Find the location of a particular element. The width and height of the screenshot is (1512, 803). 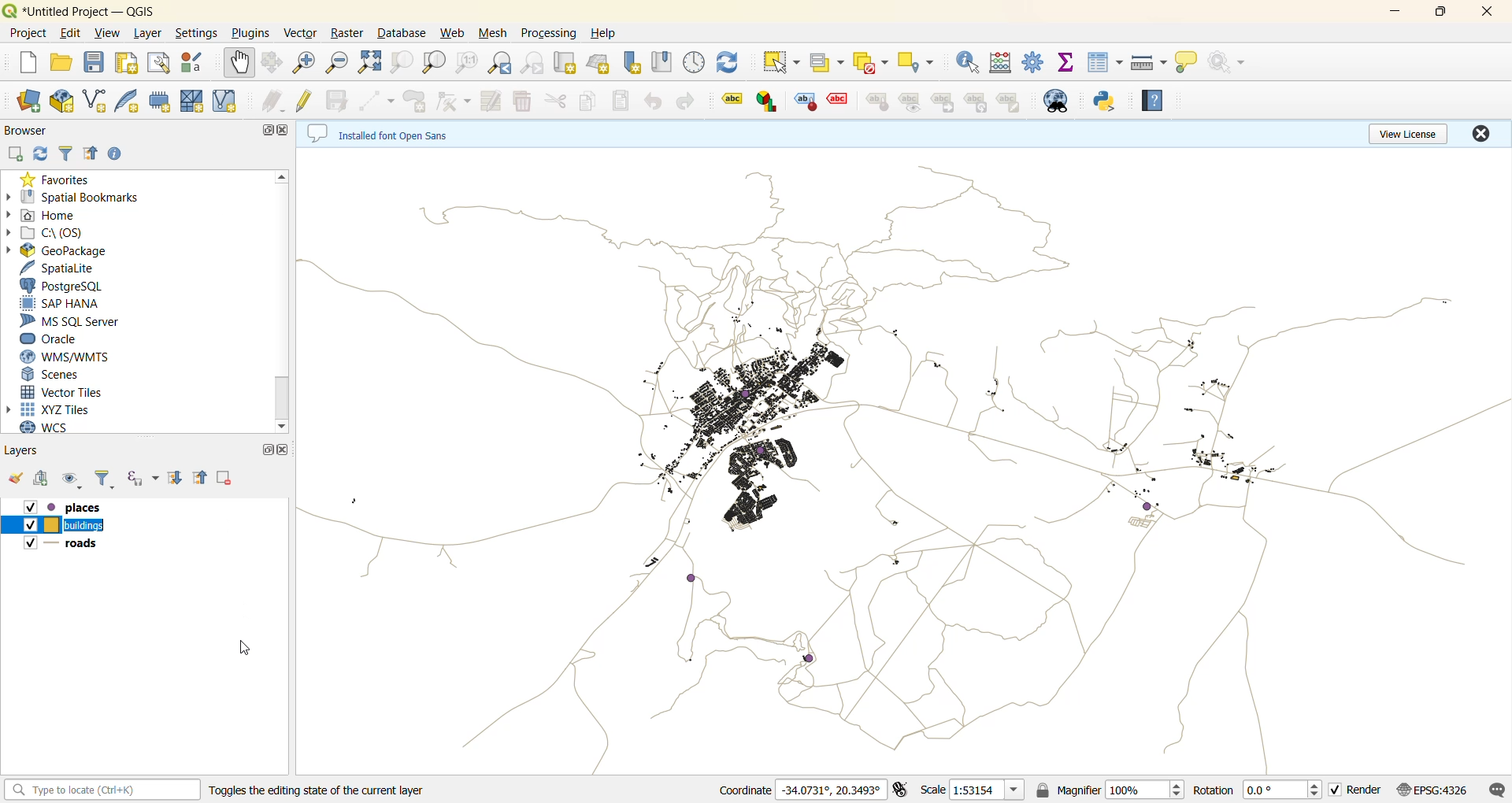

add is located at coordinates (45, 480).